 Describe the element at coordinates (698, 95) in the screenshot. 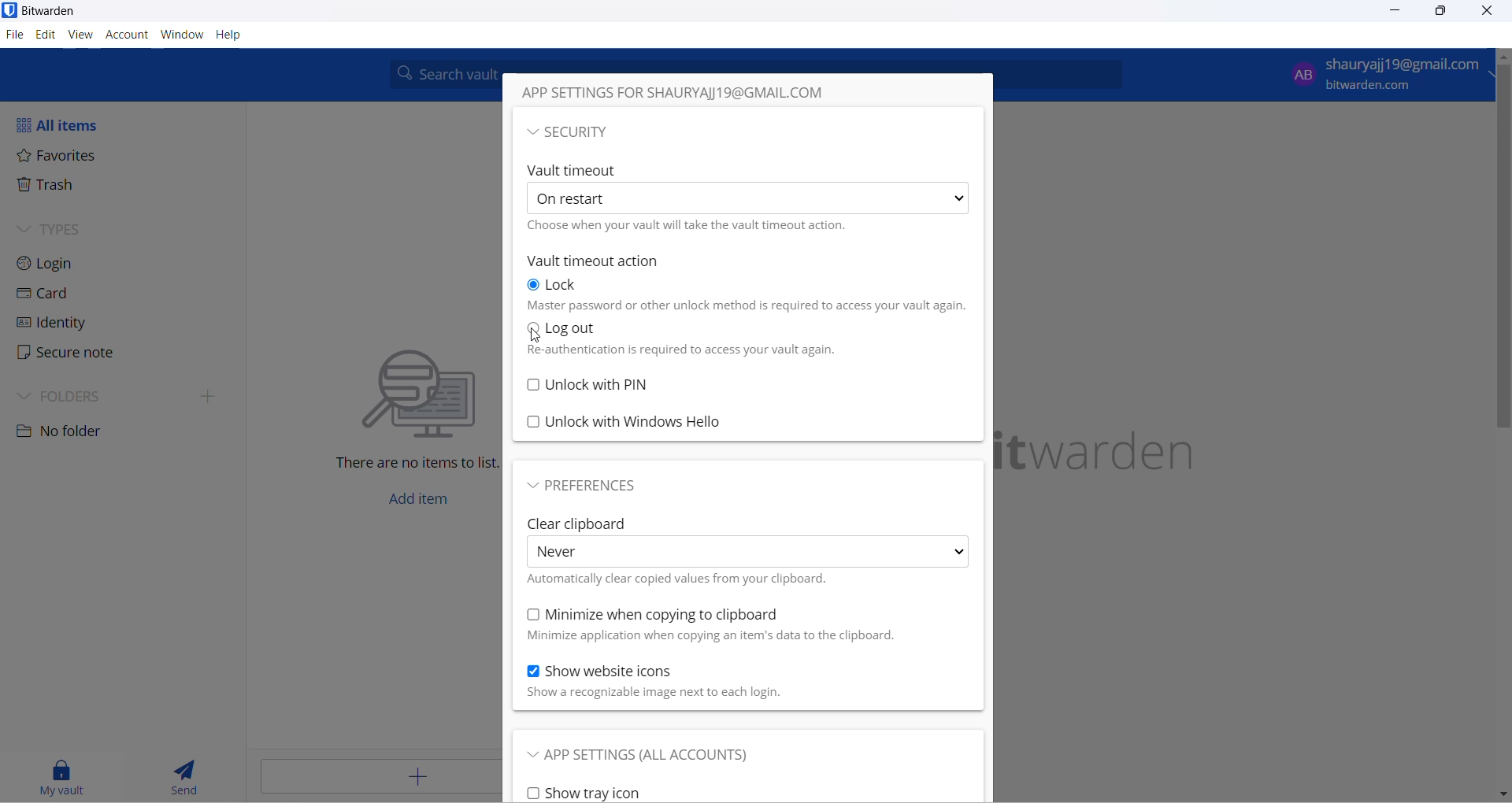

I see `heading` at that location.